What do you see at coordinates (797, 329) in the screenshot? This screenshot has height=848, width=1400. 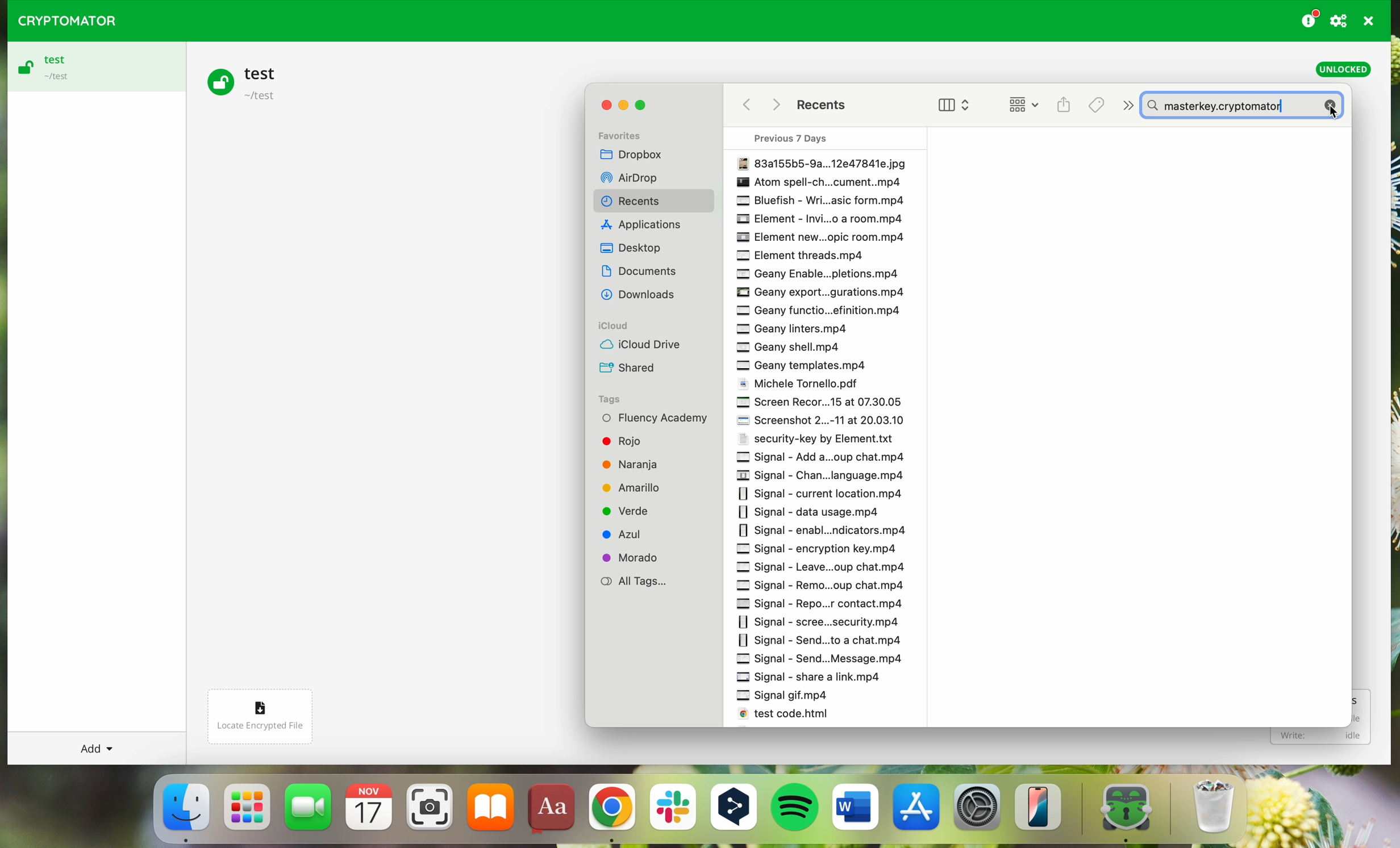 I see `Geany interest` at bounding box center [797, 329].